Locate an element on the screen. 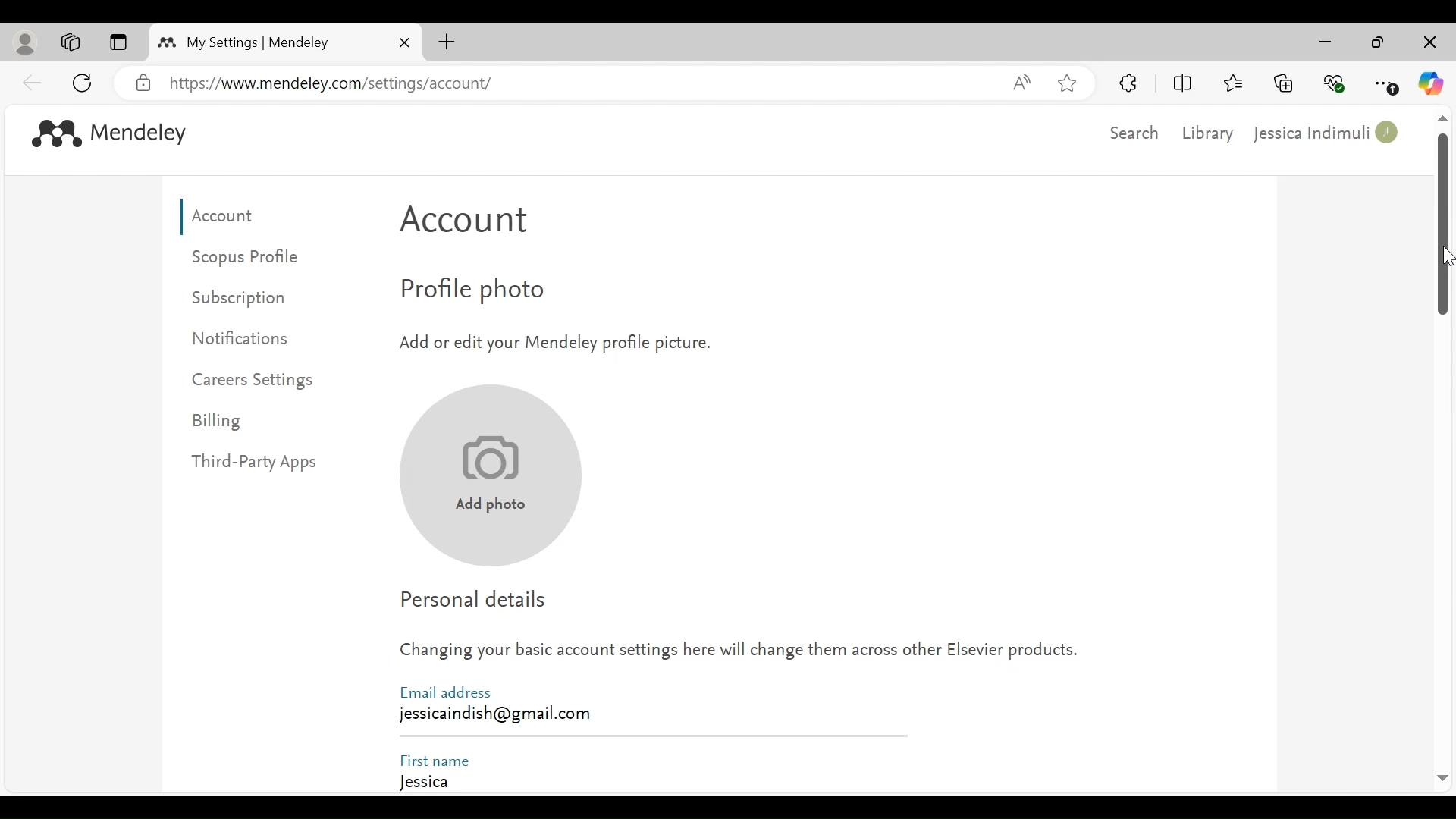 Image resolution: width=1456 pixels, height=819 pixels. Jessica is located at coordinates (650, 784).